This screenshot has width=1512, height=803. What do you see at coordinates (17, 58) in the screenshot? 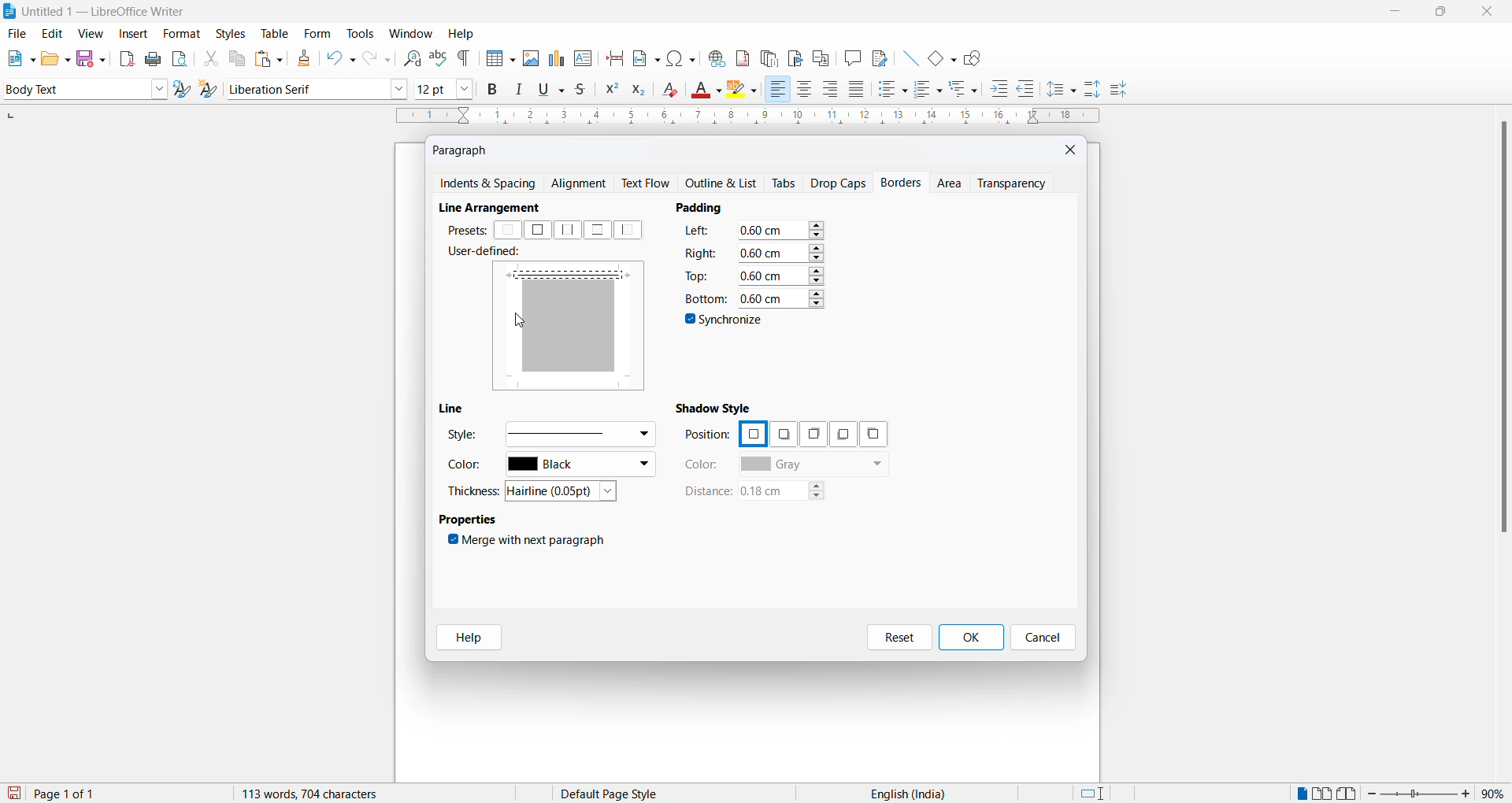
I see `new file options` at bounding box center [17, 58].